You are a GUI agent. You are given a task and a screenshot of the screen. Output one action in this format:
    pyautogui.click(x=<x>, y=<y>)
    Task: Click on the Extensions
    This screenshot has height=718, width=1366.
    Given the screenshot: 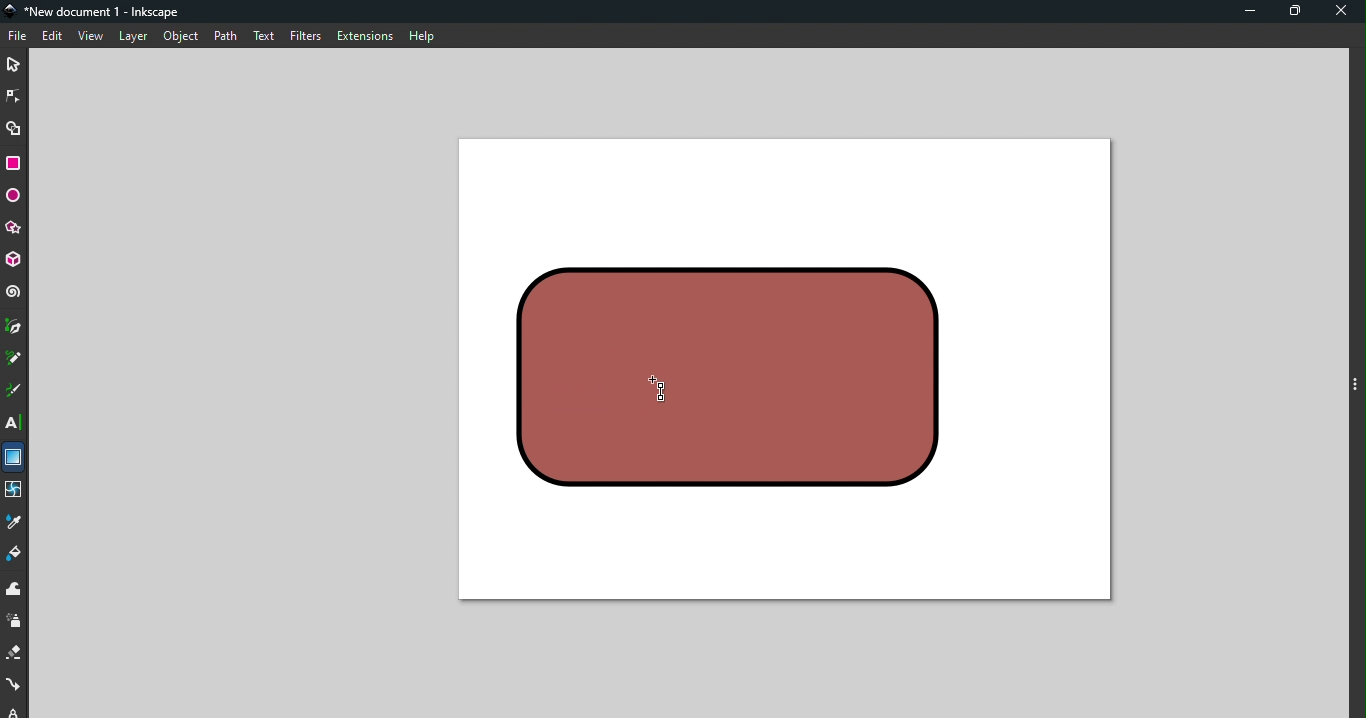 What is the action you would take?
    pyautogui.click(x=363, y=36)
    